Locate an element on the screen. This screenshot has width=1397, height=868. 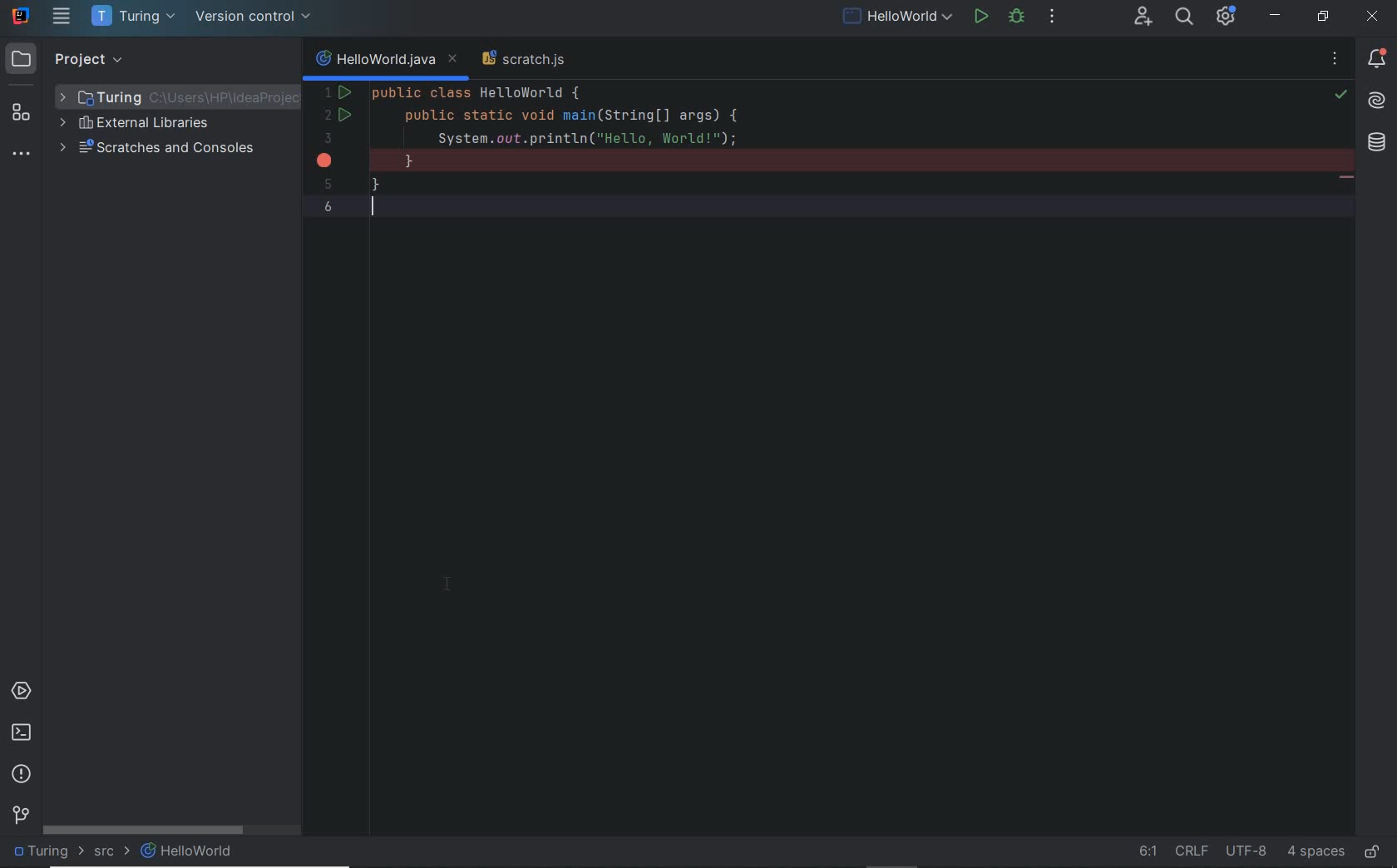
IDE and Project settings is located at coordinates (1226, 14).